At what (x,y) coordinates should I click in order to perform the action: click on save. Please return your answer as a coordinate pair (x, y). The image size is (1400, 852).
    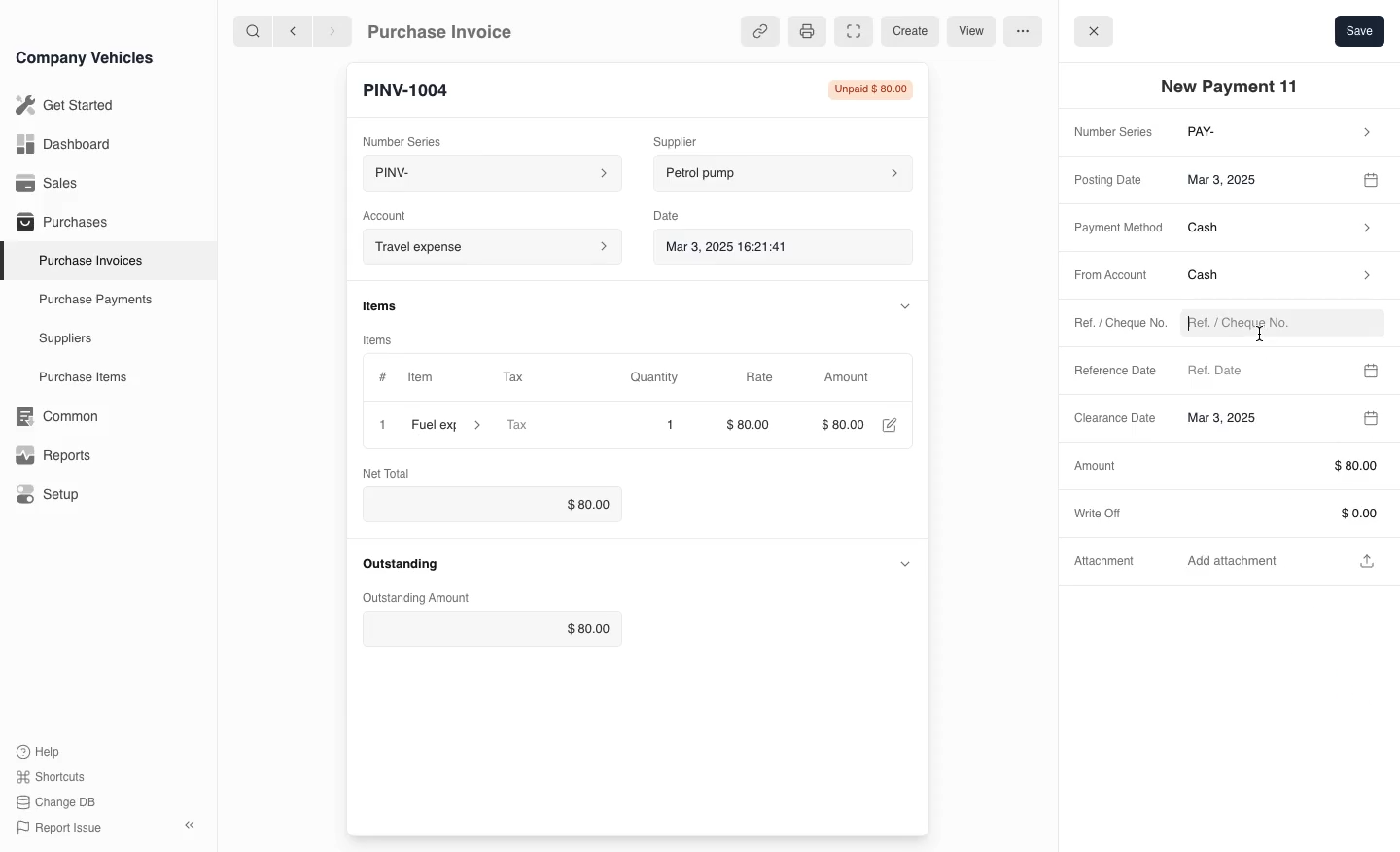
    Looking at the image, I should click on (1359, 30).